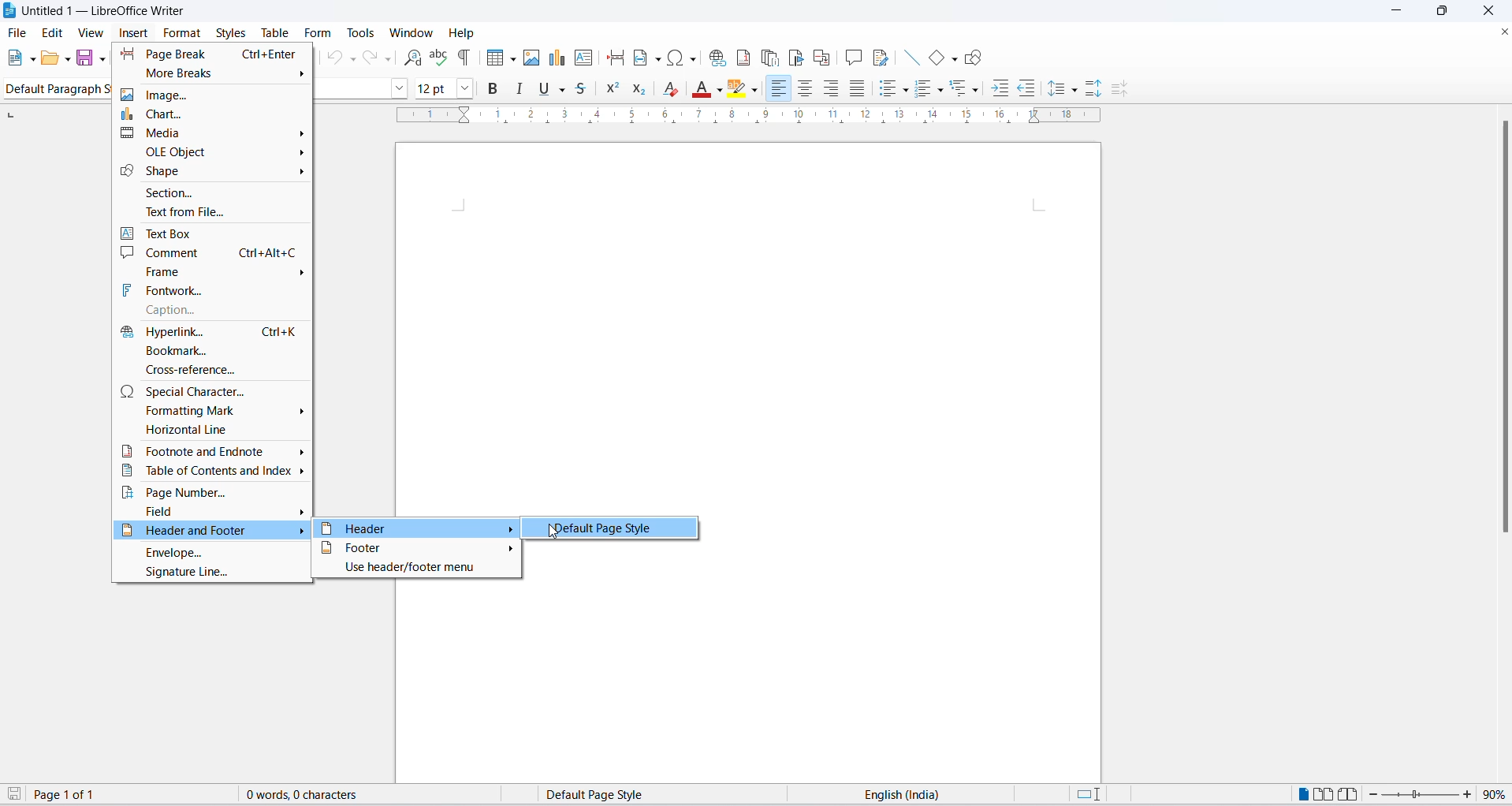 The height and width of the screenshot is (806, 1512). I want to click on italic, so click(520, 89).